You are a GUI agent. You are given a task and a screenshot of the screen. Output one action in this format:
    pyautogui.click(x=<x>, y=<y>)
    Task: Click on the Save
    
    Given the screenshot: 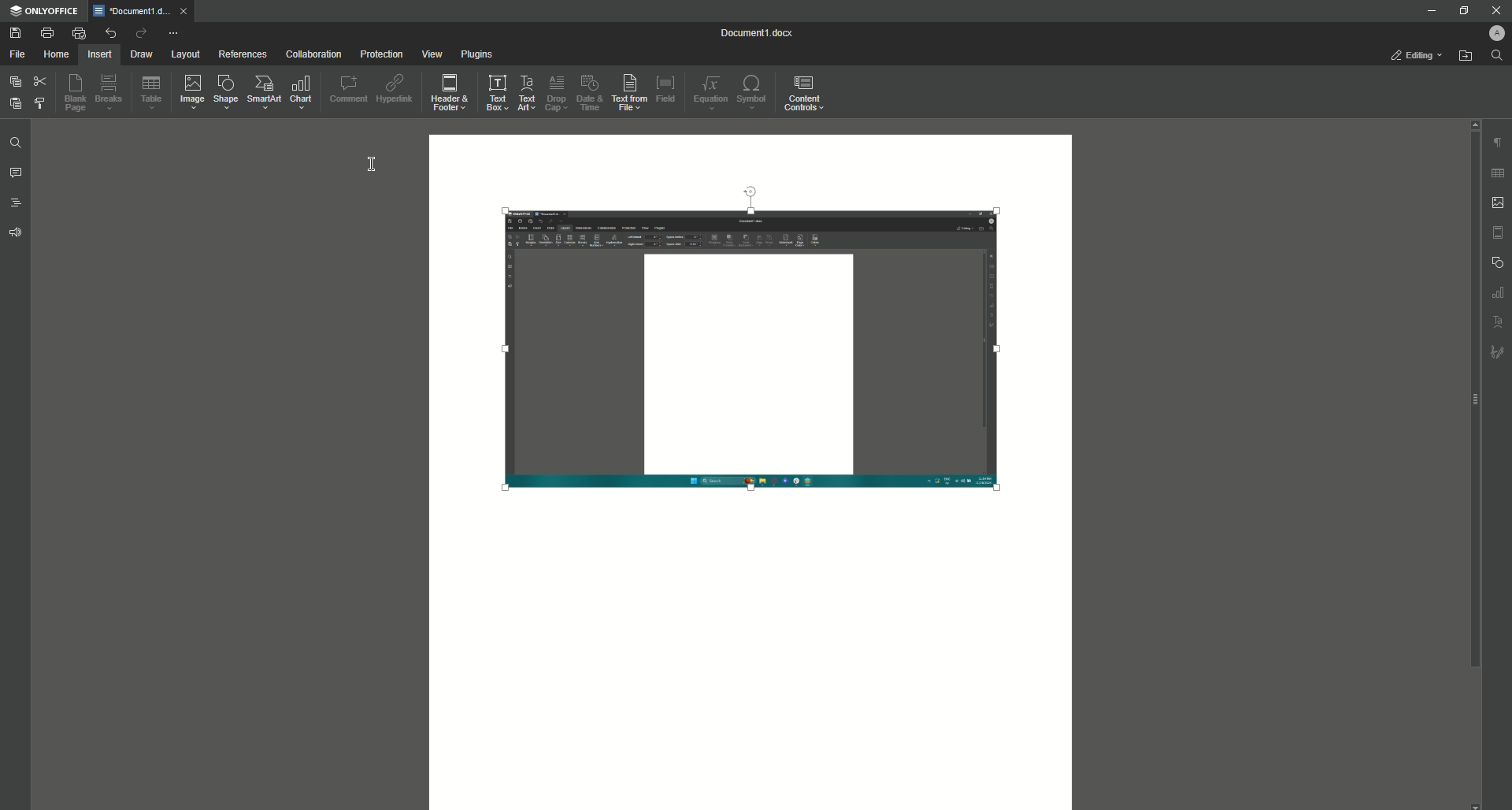 What is the action you would take?
    pyautogui.click(x=13, y=33)
    